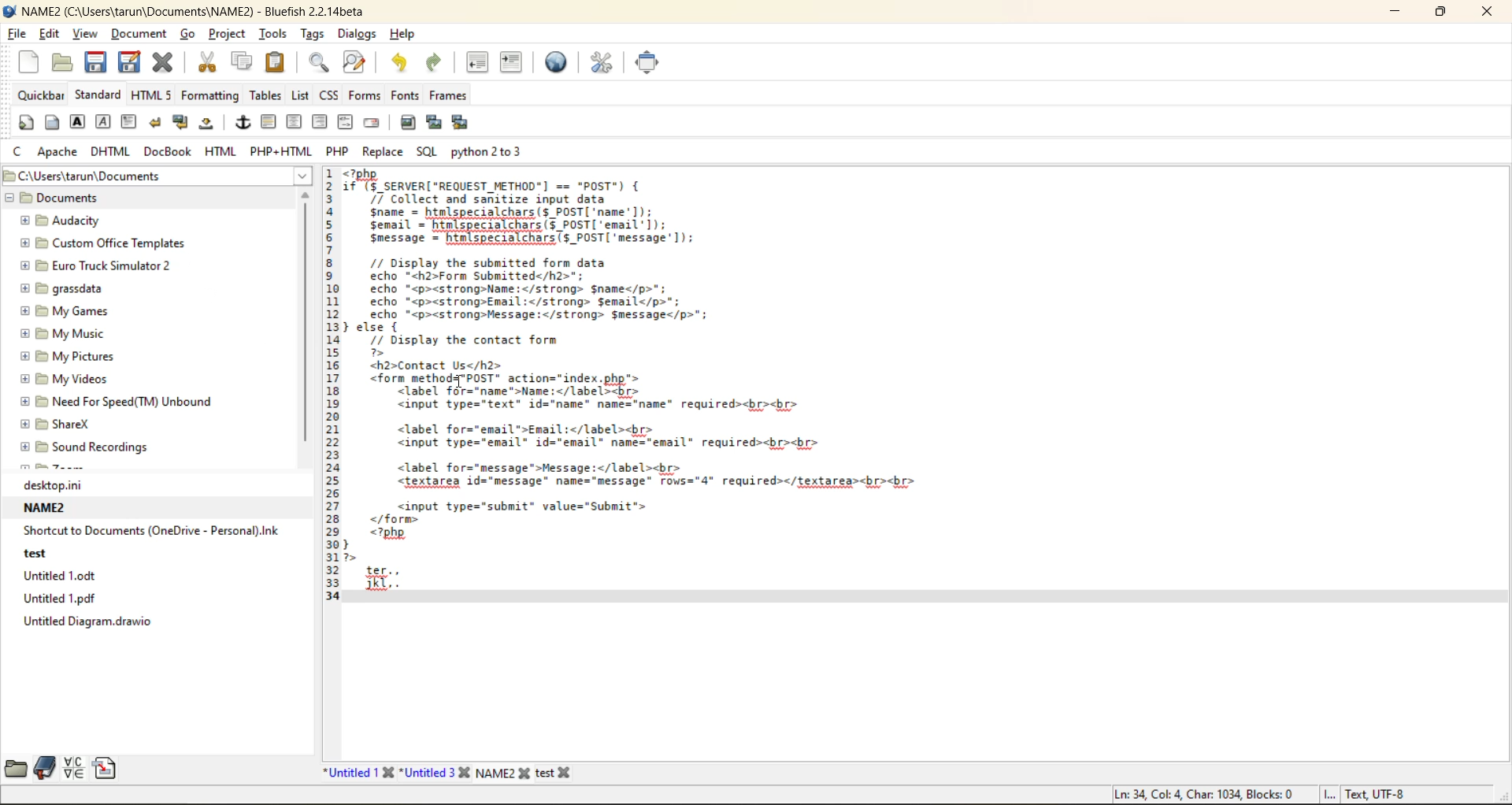 This screenshot has height=805, width=1512. Describe the element at coordinates (1440, 13) in the screenshot. I see `maximize` at that location.